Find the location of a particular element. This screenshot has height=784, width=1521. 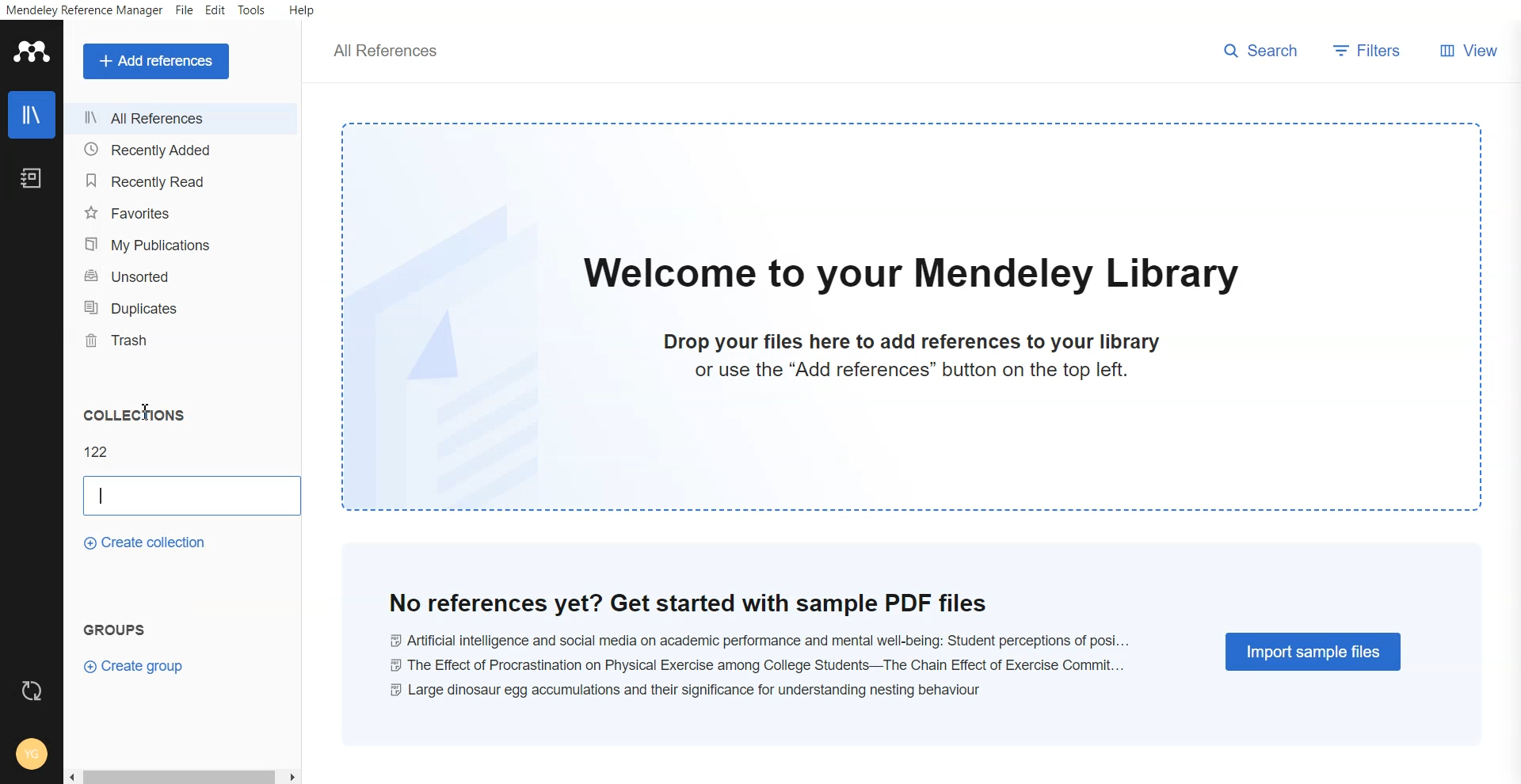

Mendeley reference manager is located at coordinates (86, 11).